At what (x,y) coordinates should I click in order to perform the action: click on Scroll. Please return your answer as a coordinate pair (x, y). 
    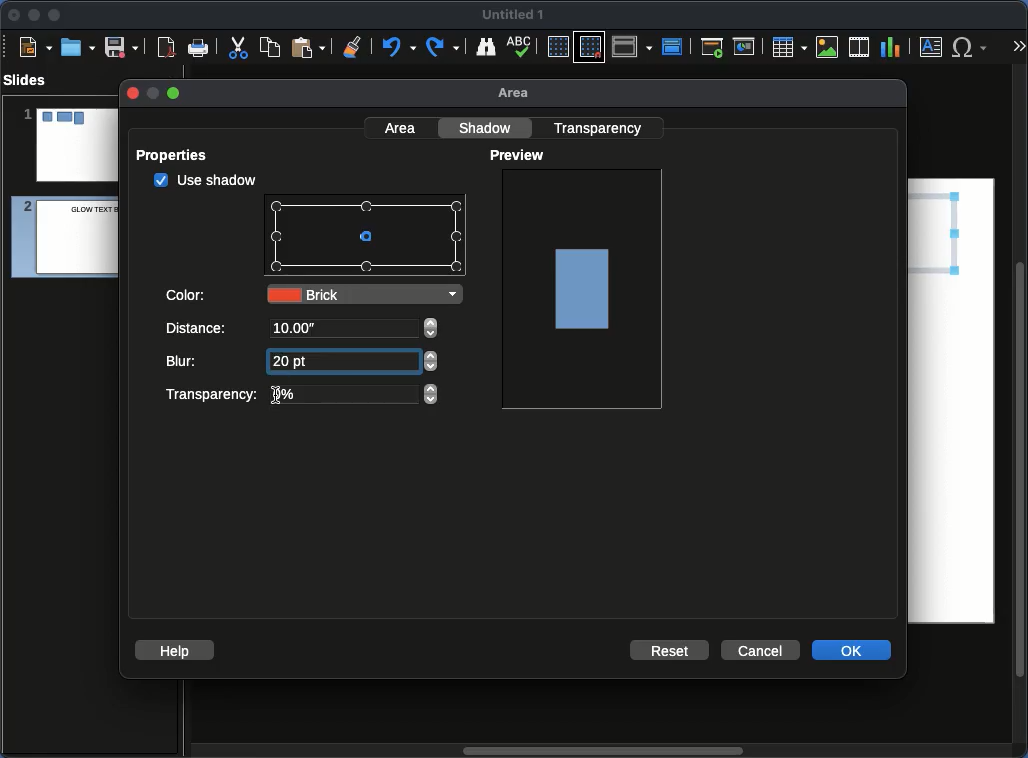
    Looking at the image, I should click on (599, 752).